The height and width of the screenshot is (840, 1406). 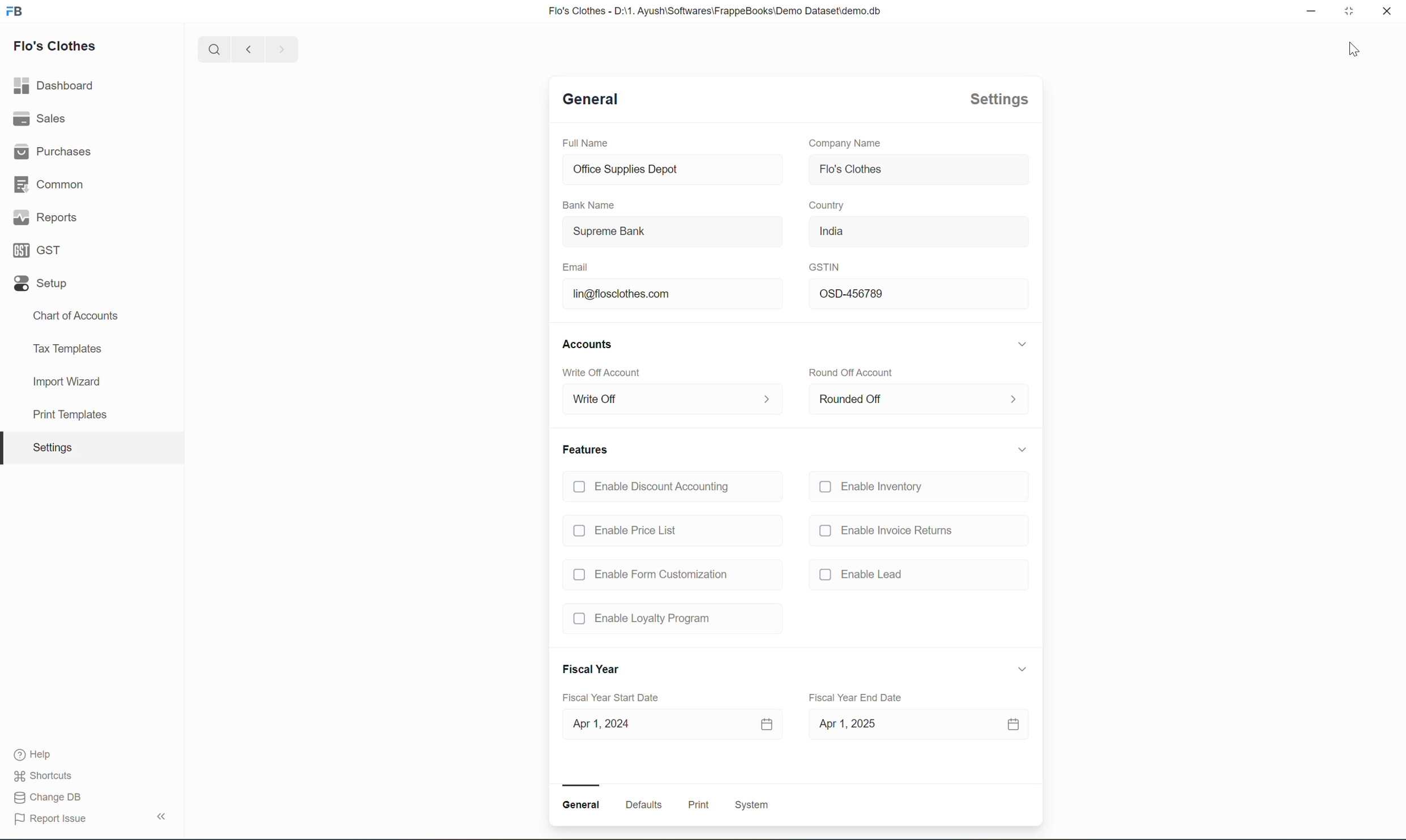 What do you see at coordinates (750, 804) in the screenshot?
I see `System` at bounding box center [750, 804].